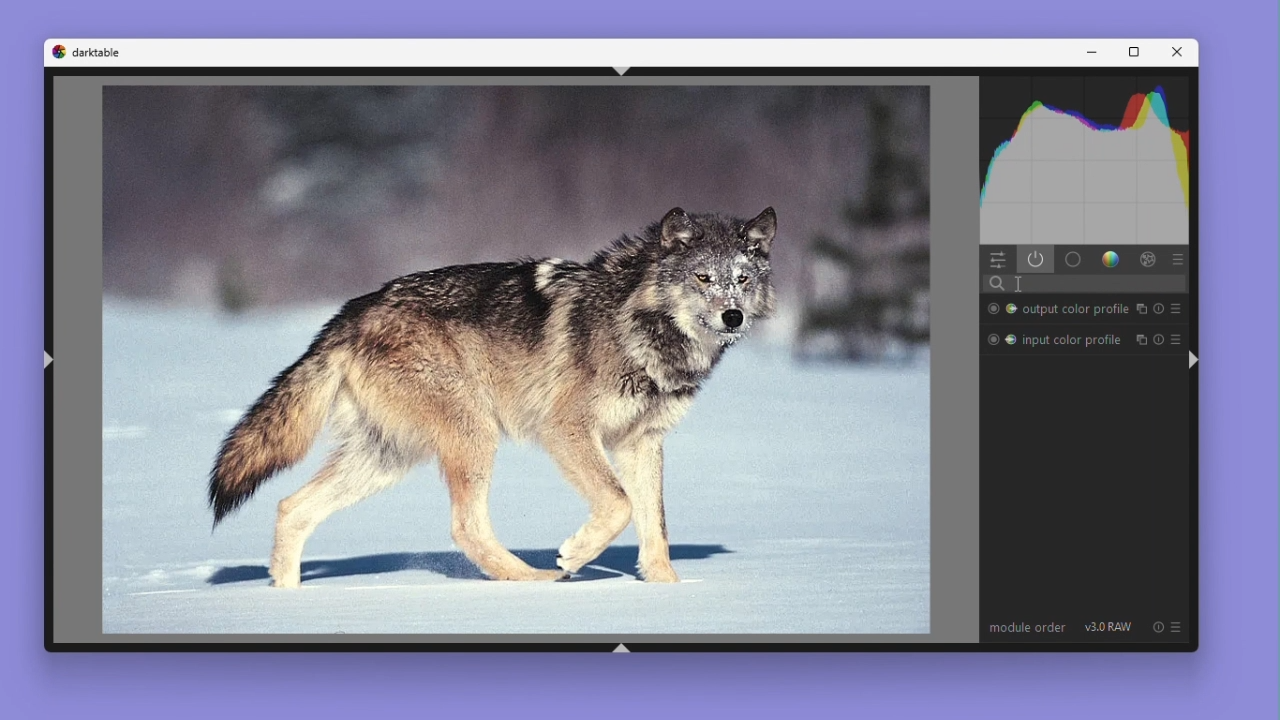 The image size is (1280, 720). What do you see at coordinates (498, 361) in the screenshot?
I see `Image` at bounding box center [498, 361].